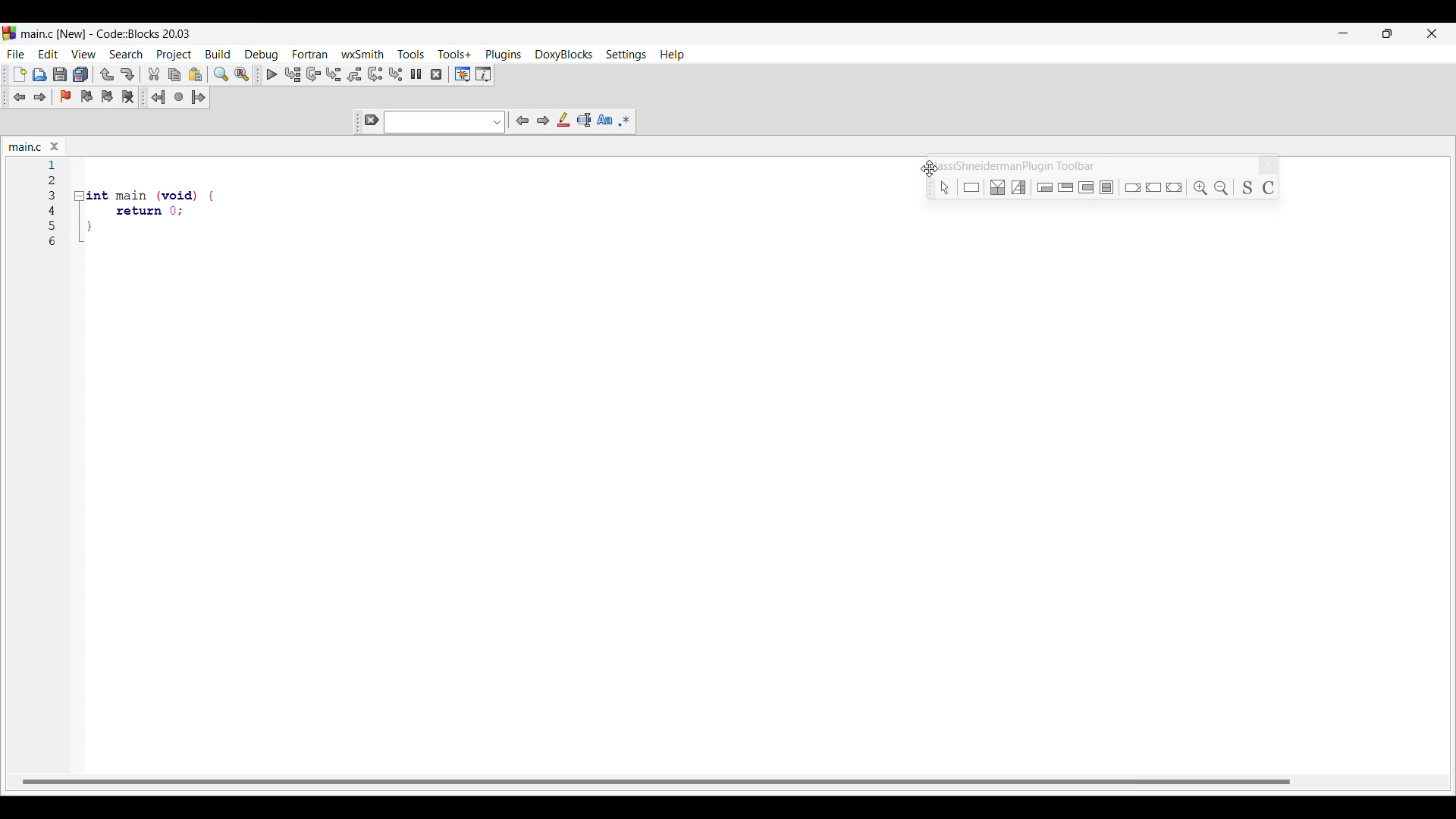 This screenshot has height=819, width=1456. I want to click on Project menu, so click(174, 55).